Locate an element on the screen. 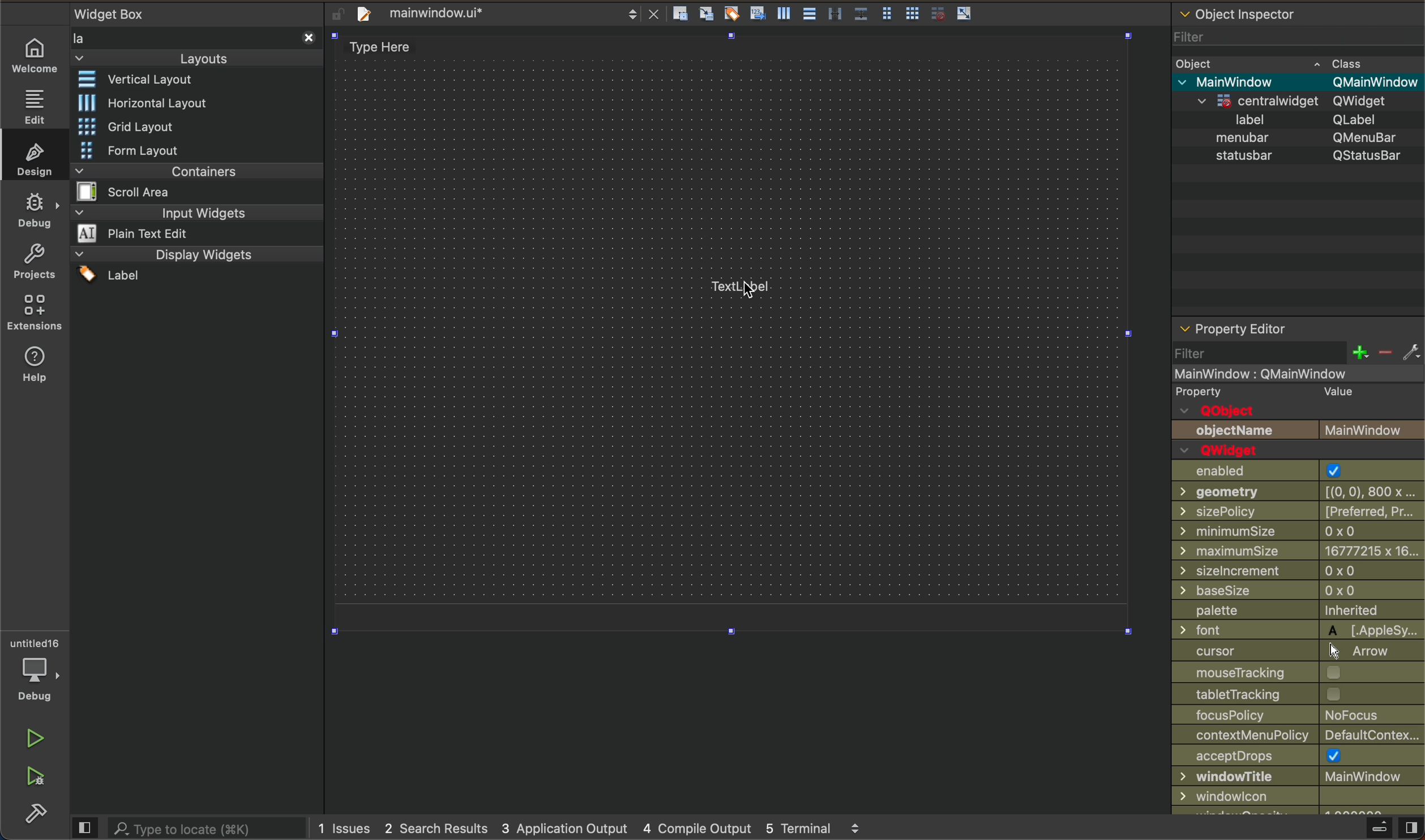  object name is located at coordinates (1297, 430).